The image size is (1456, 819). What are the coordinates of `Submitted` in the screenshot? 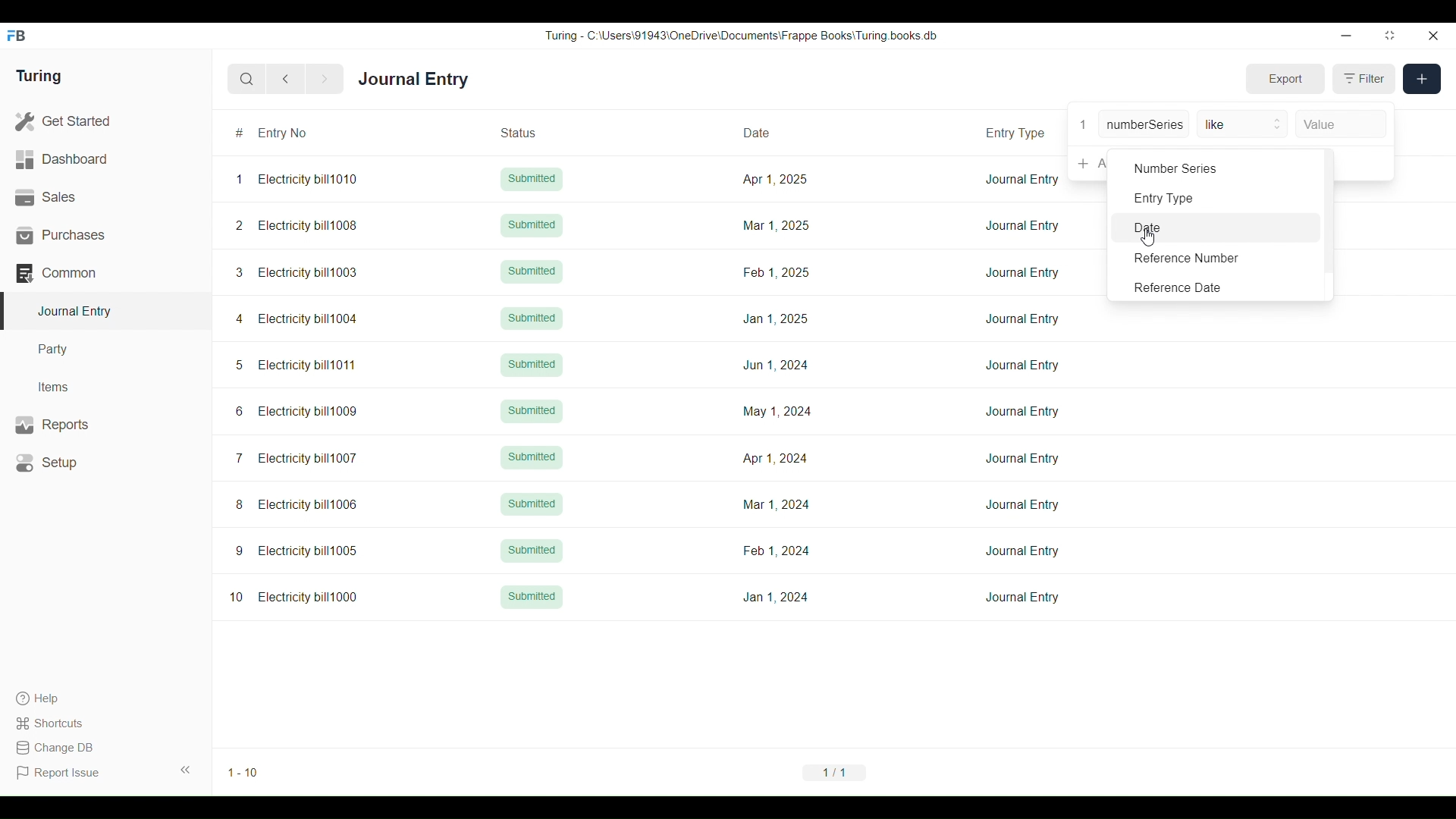 It's located at (531, 503).